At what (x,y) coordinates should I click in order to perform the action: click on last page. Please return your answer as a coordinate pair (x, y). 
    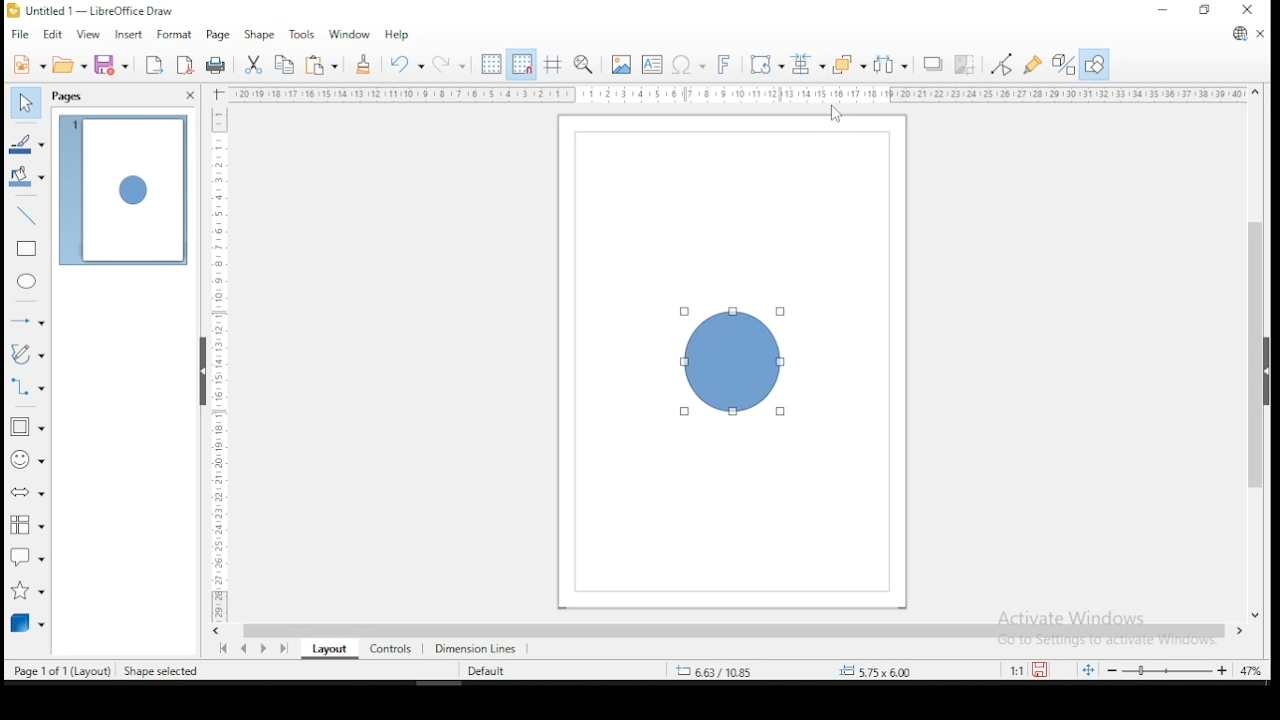
    Looking at the image, I should click on (287, 647).